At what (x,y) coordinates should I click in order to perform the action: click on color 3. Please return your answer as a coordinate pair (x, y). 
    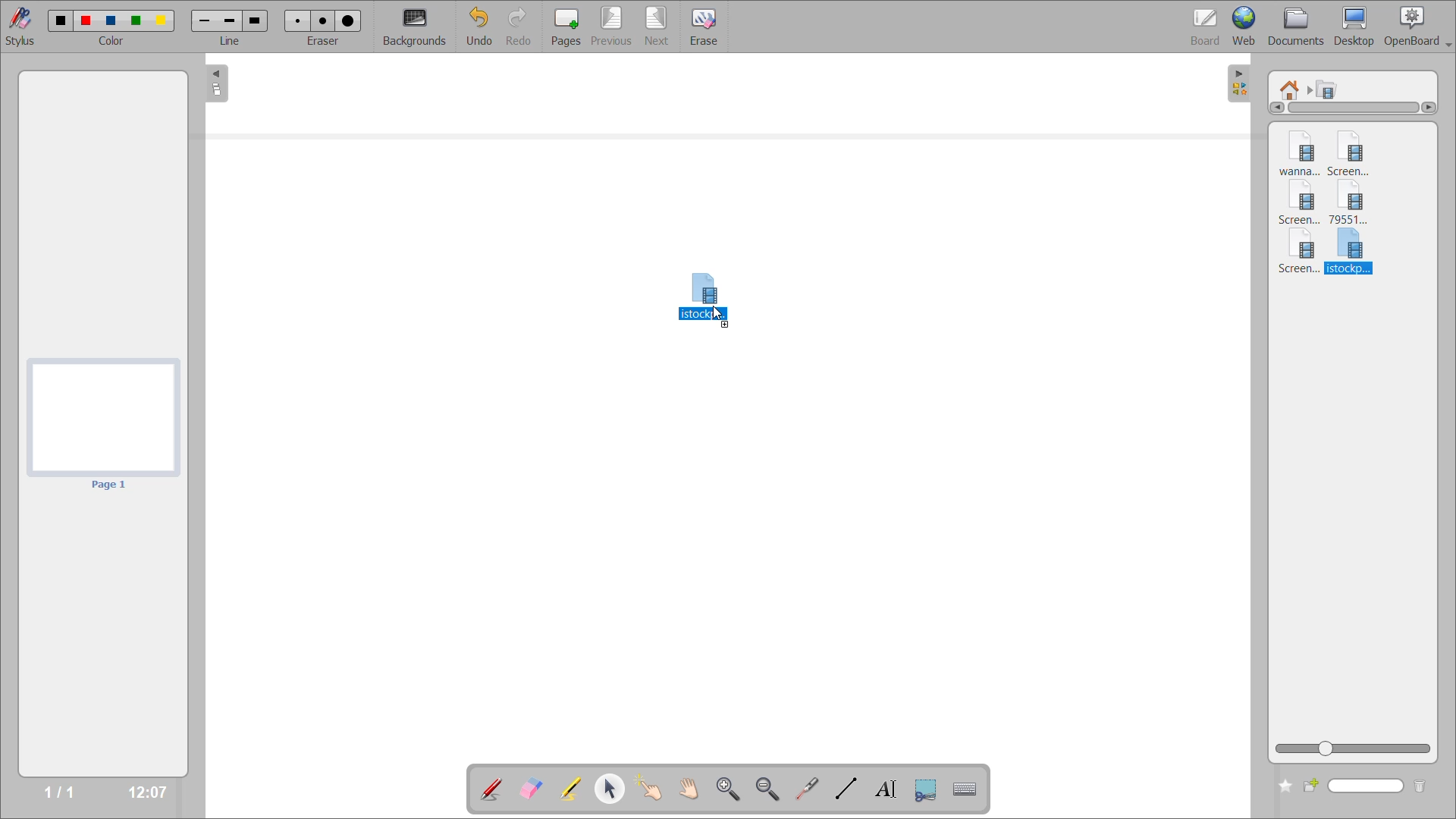
    Looking at the image, I should click on (114, 20).